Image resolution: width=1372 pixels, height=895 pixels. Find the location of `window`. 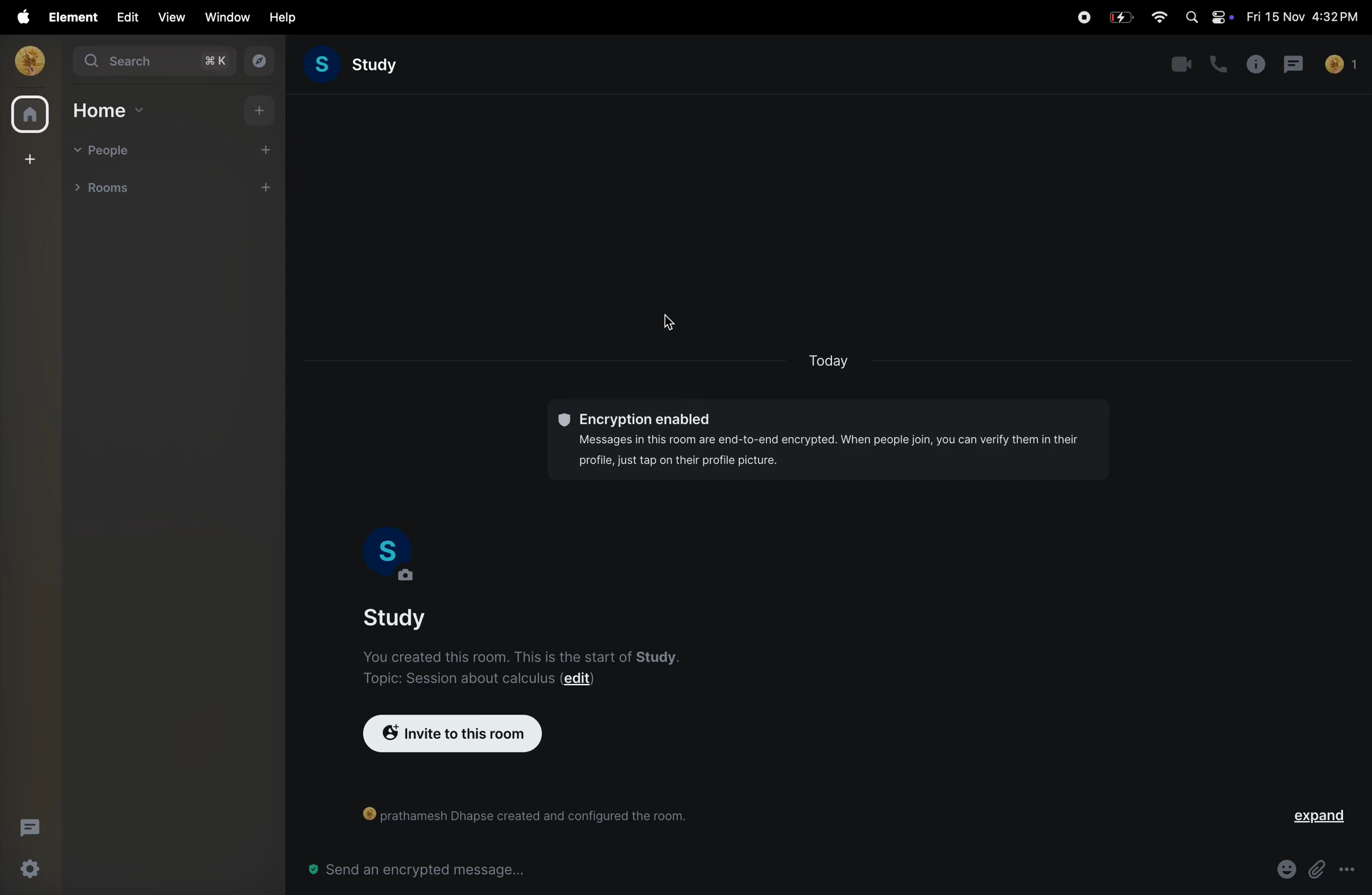

window is located at coordinates (224, 17).